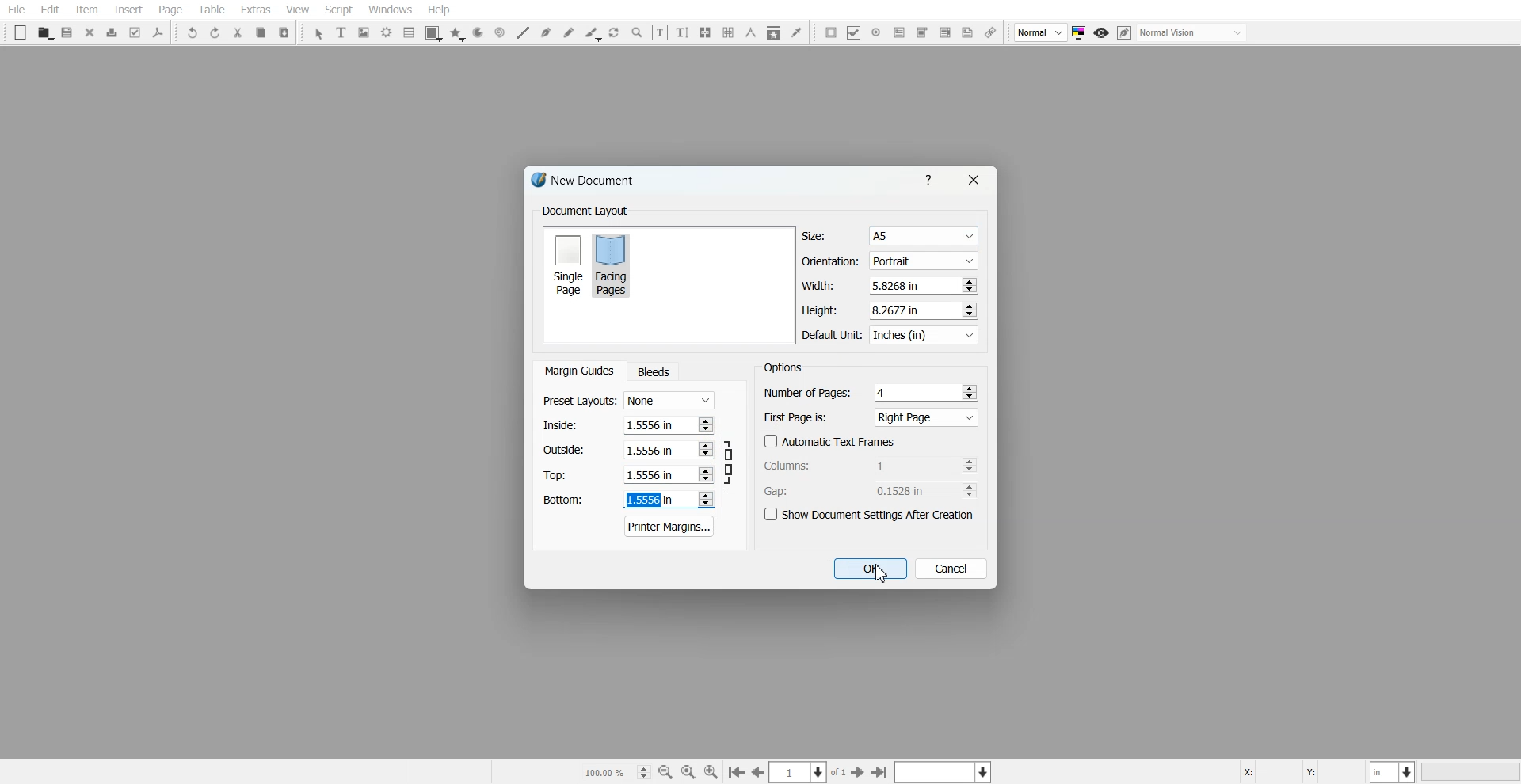  Describe the element at coordinates (158, 32) in the screenshot. I see `Save as PDF` at that location.